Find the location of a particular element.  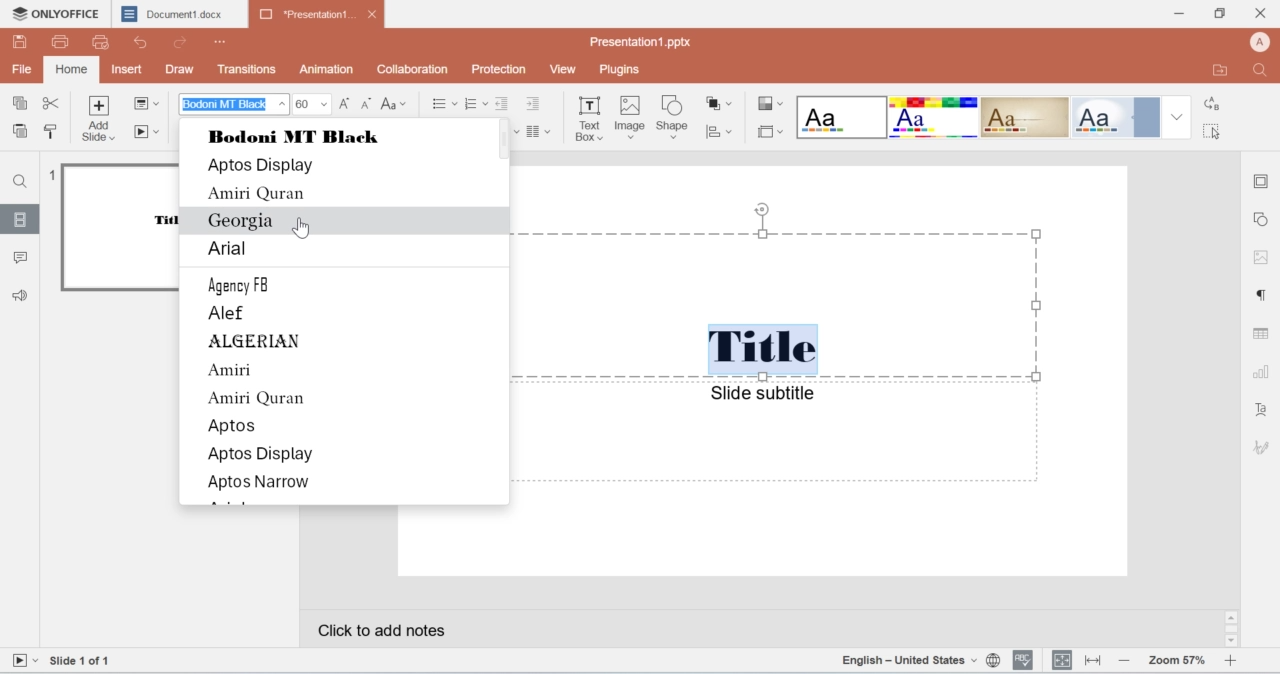

draw is located at coordinates (181, 68).